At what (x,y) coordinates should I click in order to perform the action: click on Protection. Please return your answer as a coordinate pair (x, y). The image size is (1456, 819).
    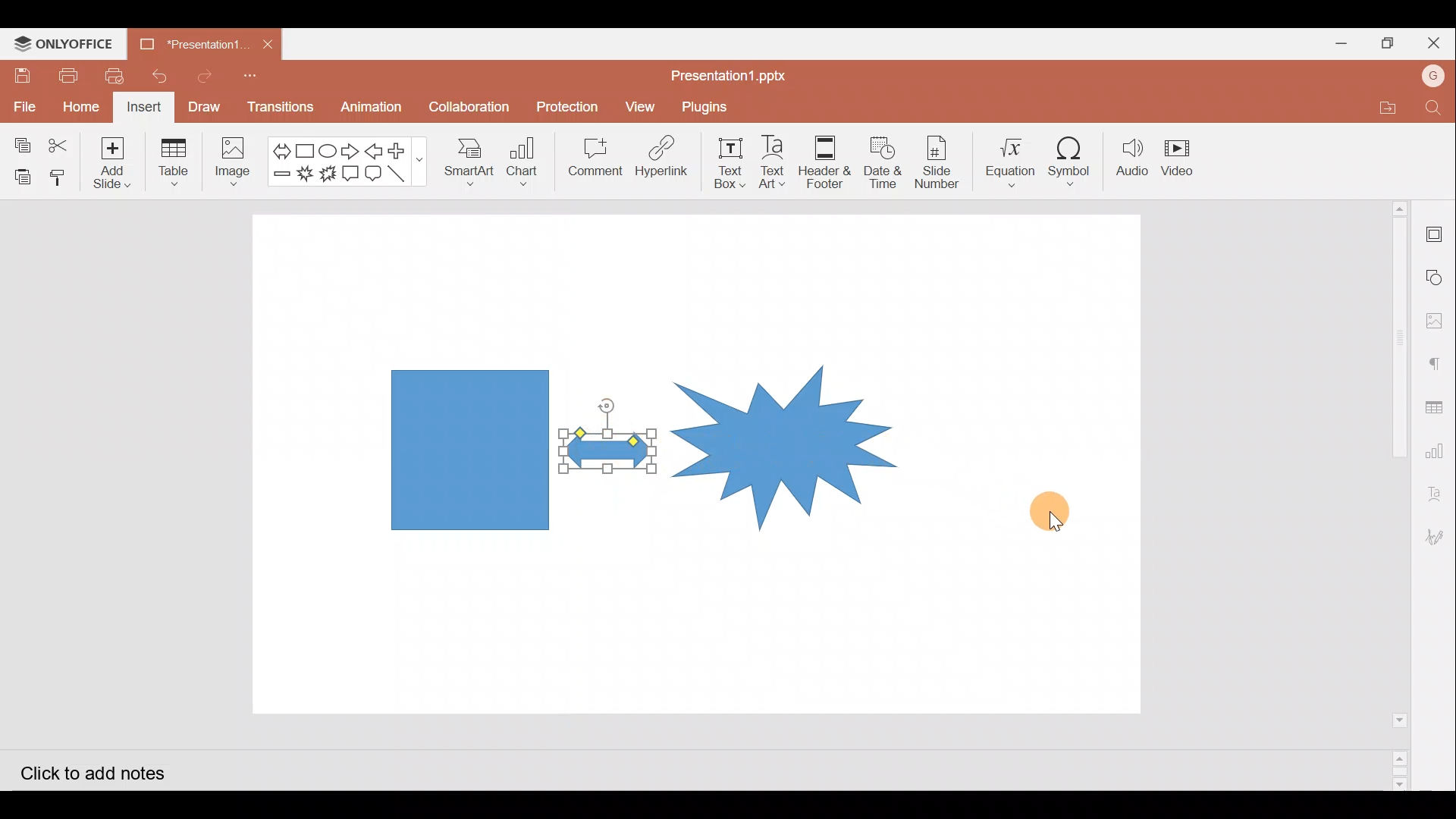
    Looking at the image, I should click on (568, 104).